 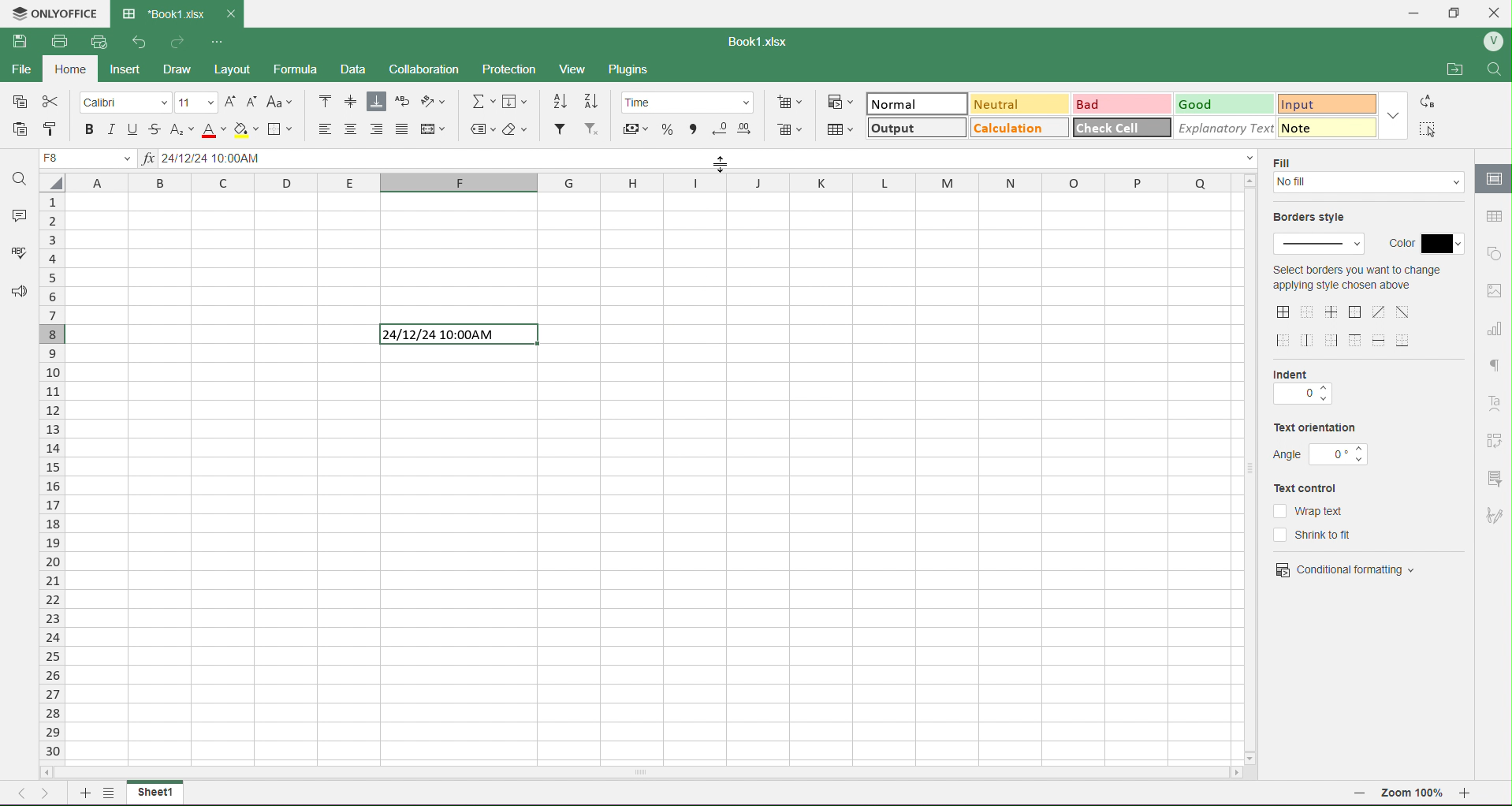 What do you see at coordinates (17, 213) in the screenshot?
I see `Comments` at bounding box center [17, 213].